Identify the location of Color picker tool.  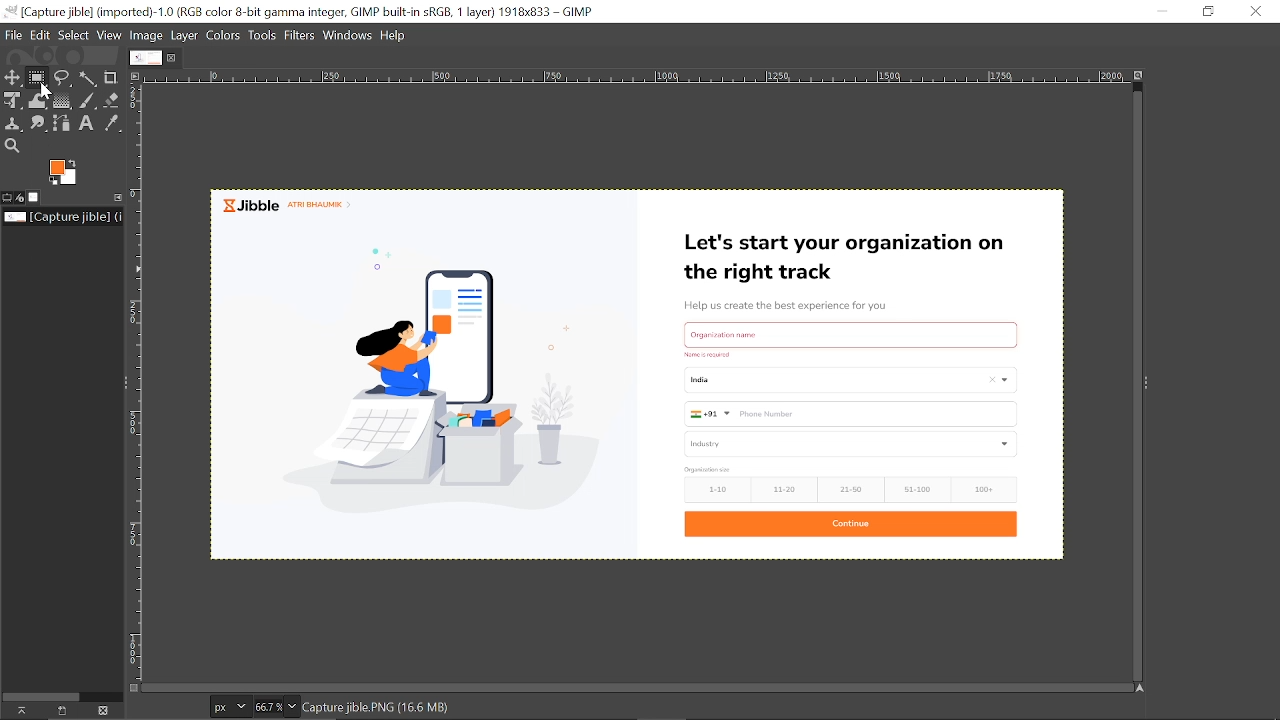
(111, 124).